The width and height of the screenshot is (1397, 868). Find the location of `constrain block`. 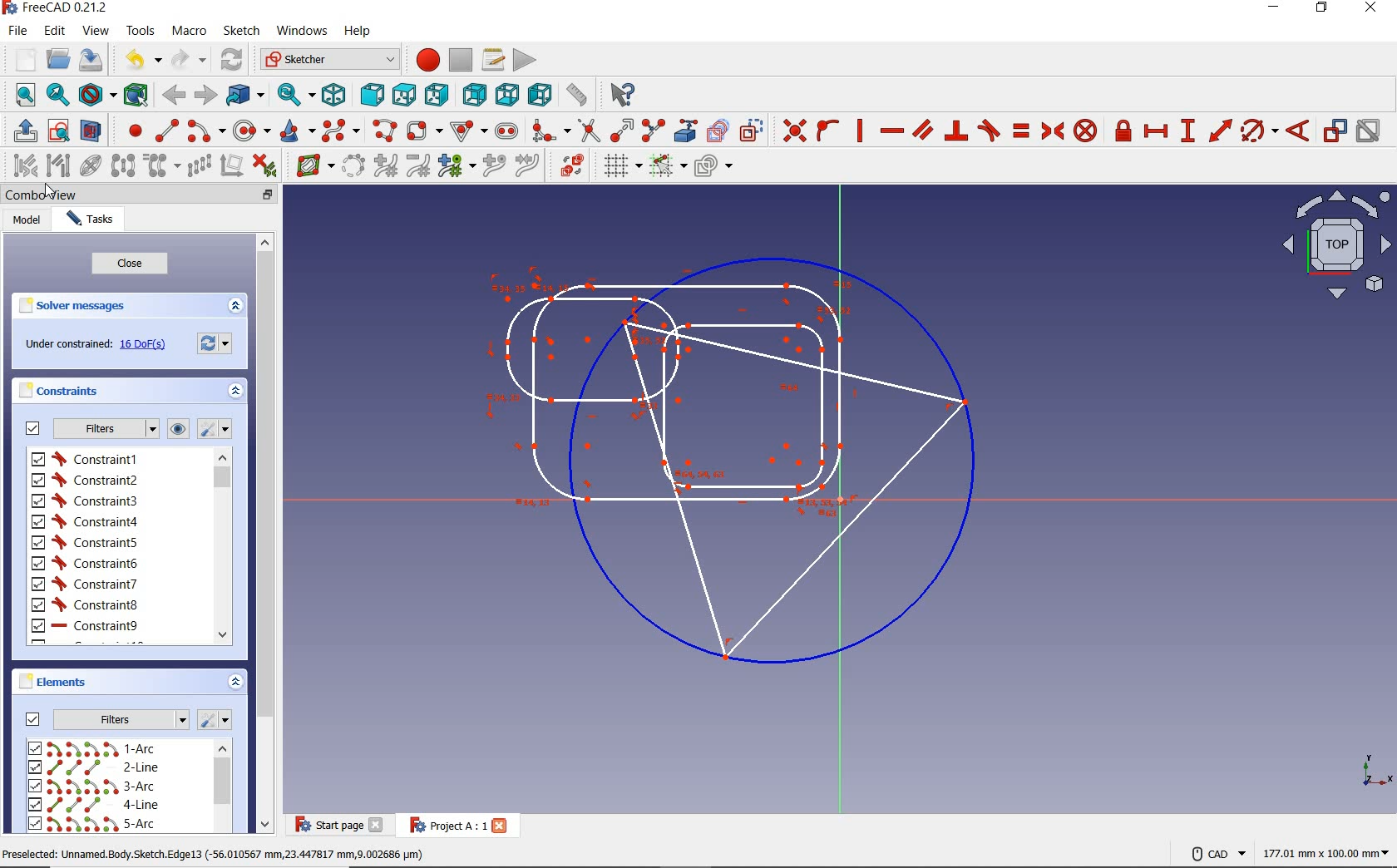

constrain block is located at coordinates (1085, 130).